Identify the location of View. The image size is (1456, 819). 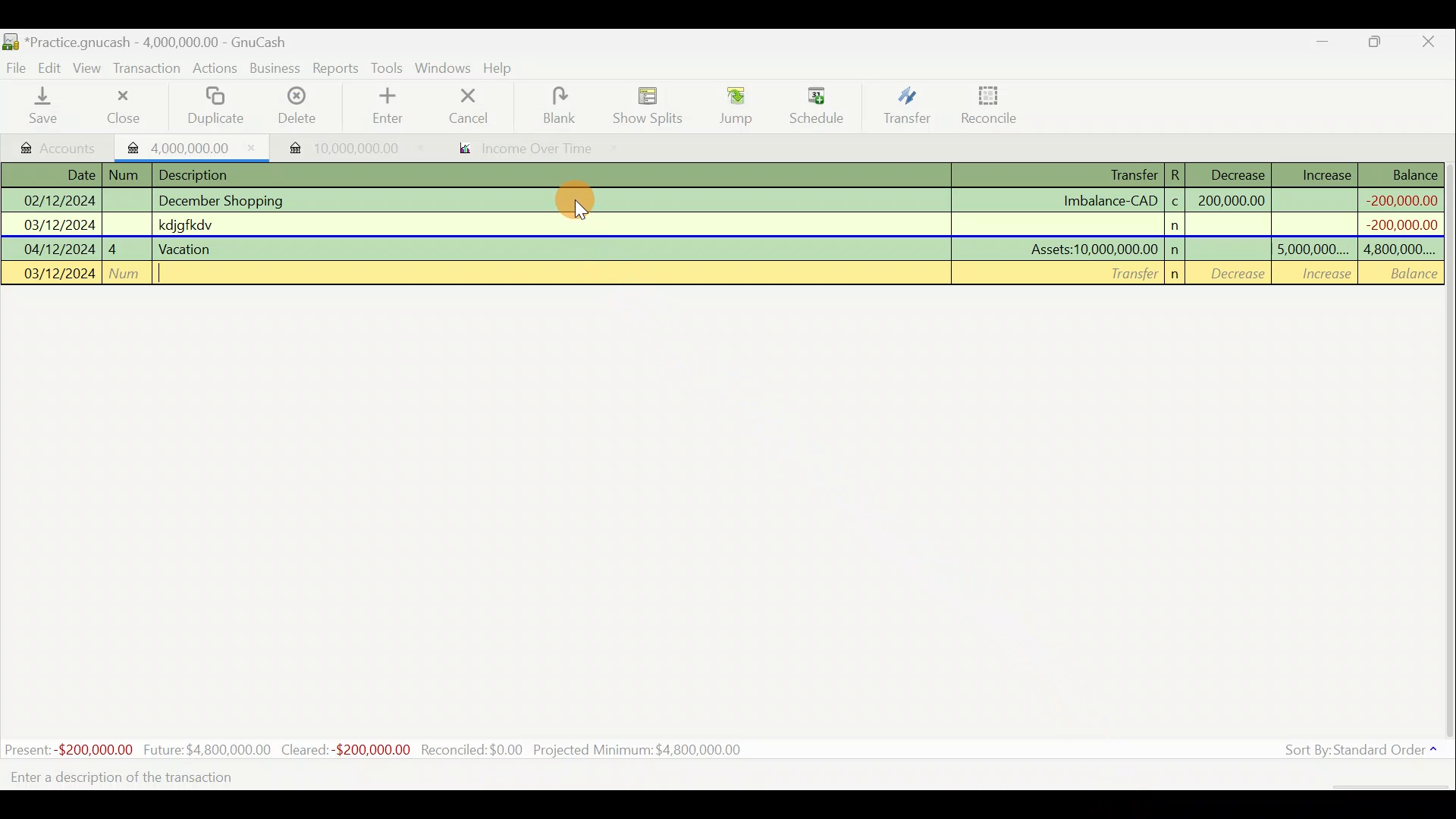
(89, 68).